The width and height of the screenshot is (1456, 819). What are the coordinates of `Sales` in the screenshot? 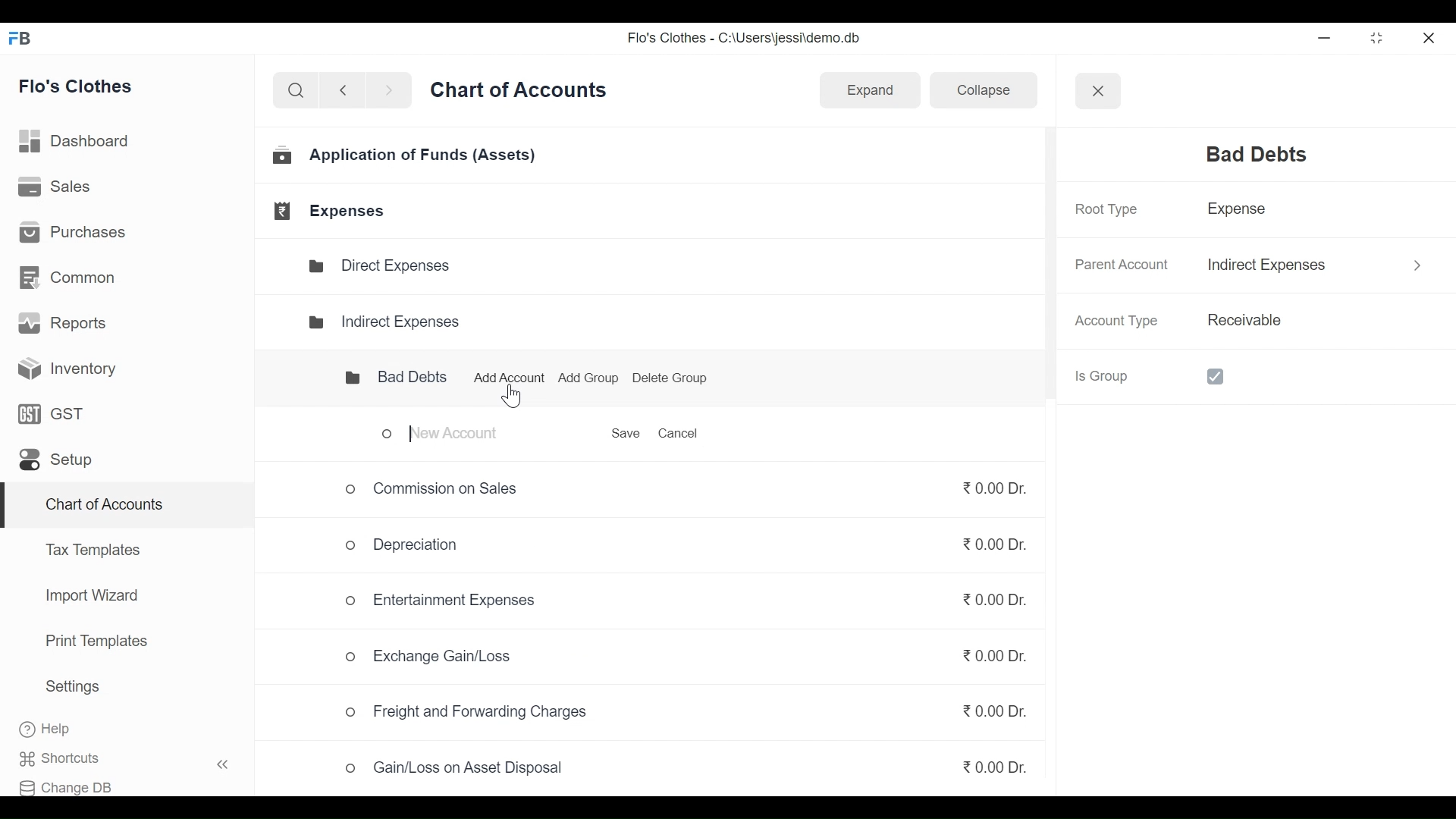 It's located at (56, 188).